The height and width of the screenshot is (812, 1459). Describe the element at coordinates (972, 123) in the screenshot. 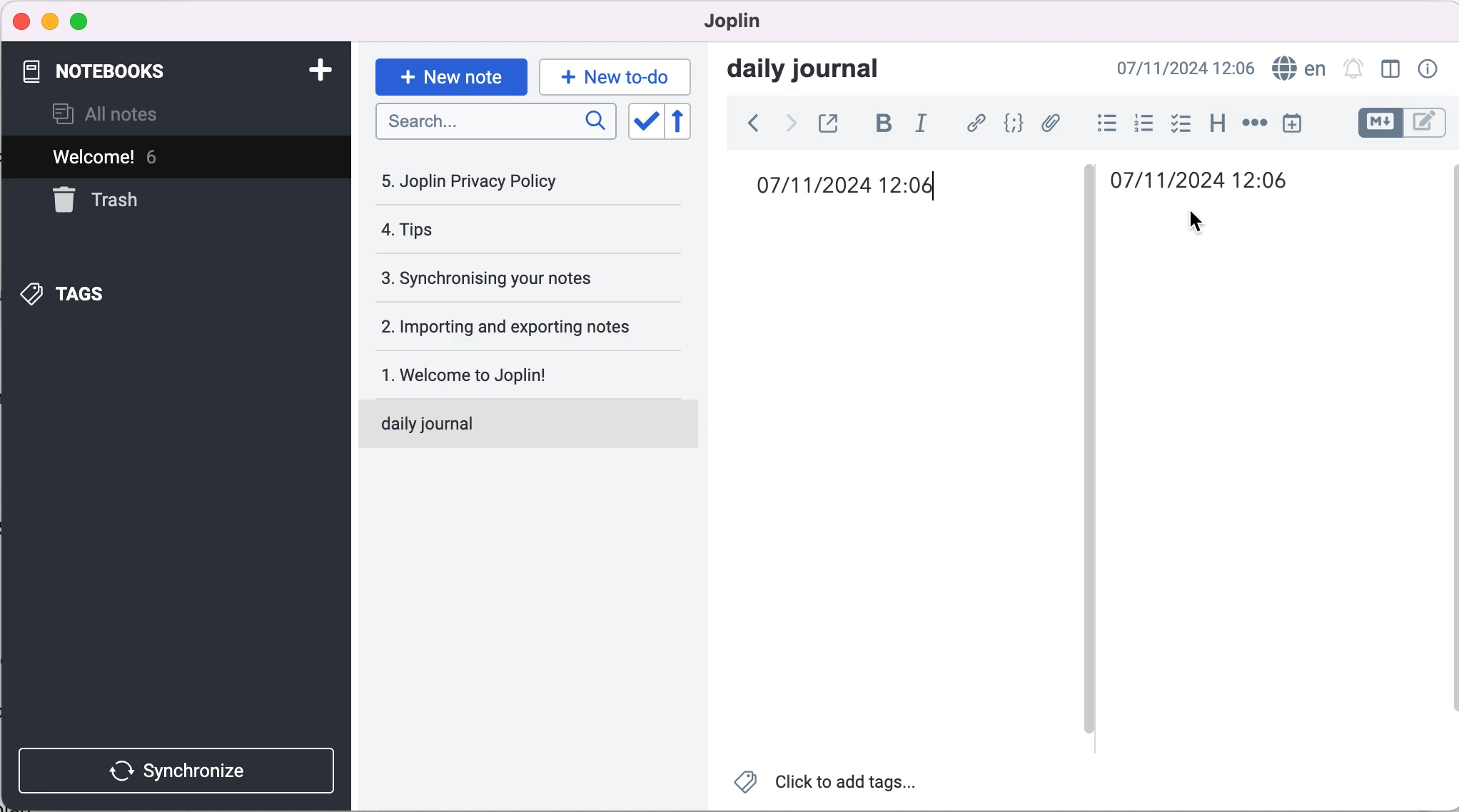

I see `hyperlink` at that location.